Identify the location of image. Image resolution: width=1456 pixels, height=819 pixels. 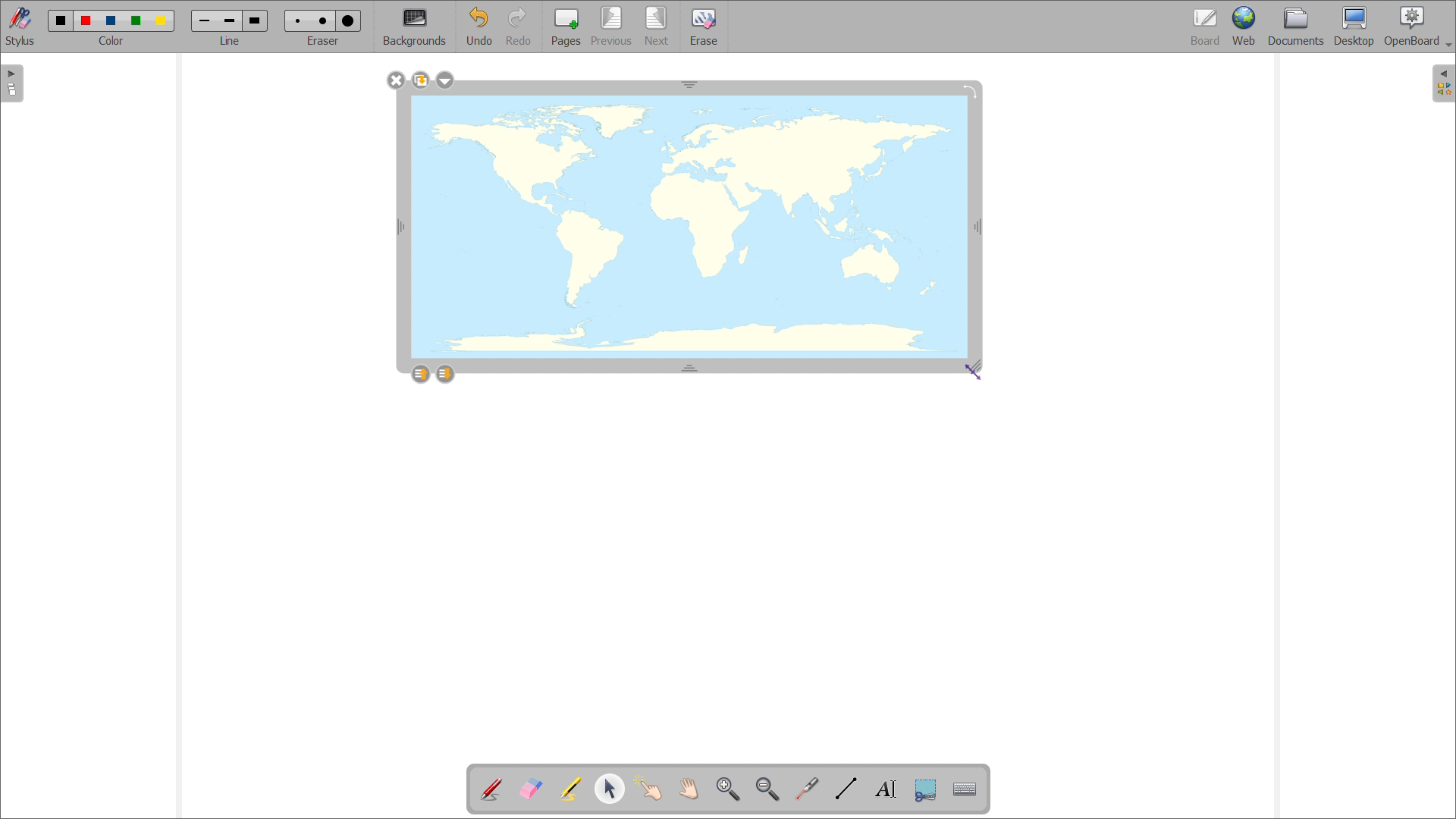
(689, 229).